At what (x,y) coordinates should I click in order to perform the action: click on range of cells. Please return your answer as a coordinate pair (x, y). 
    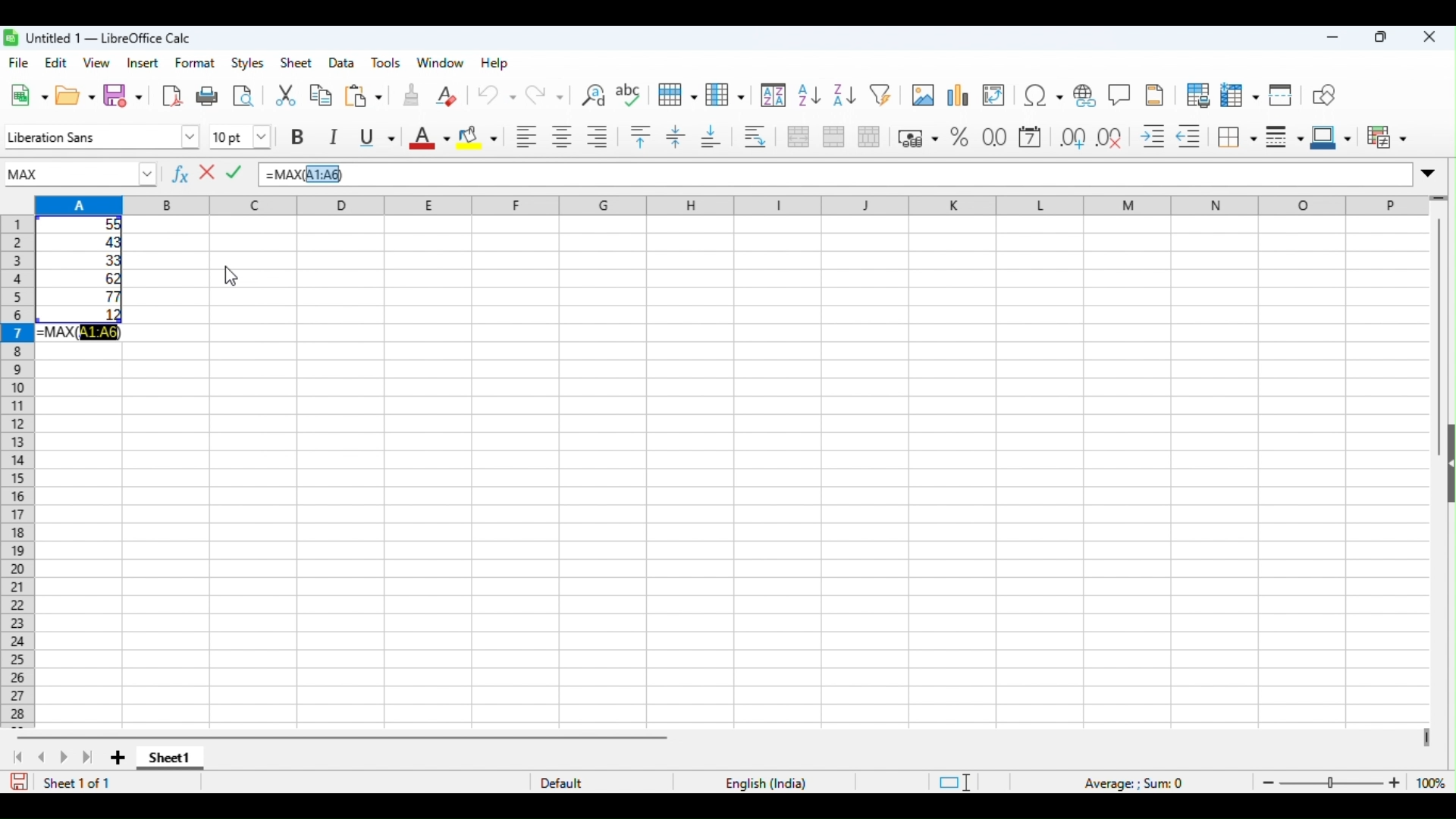
    Looking at the image, I should click on (86, 270).